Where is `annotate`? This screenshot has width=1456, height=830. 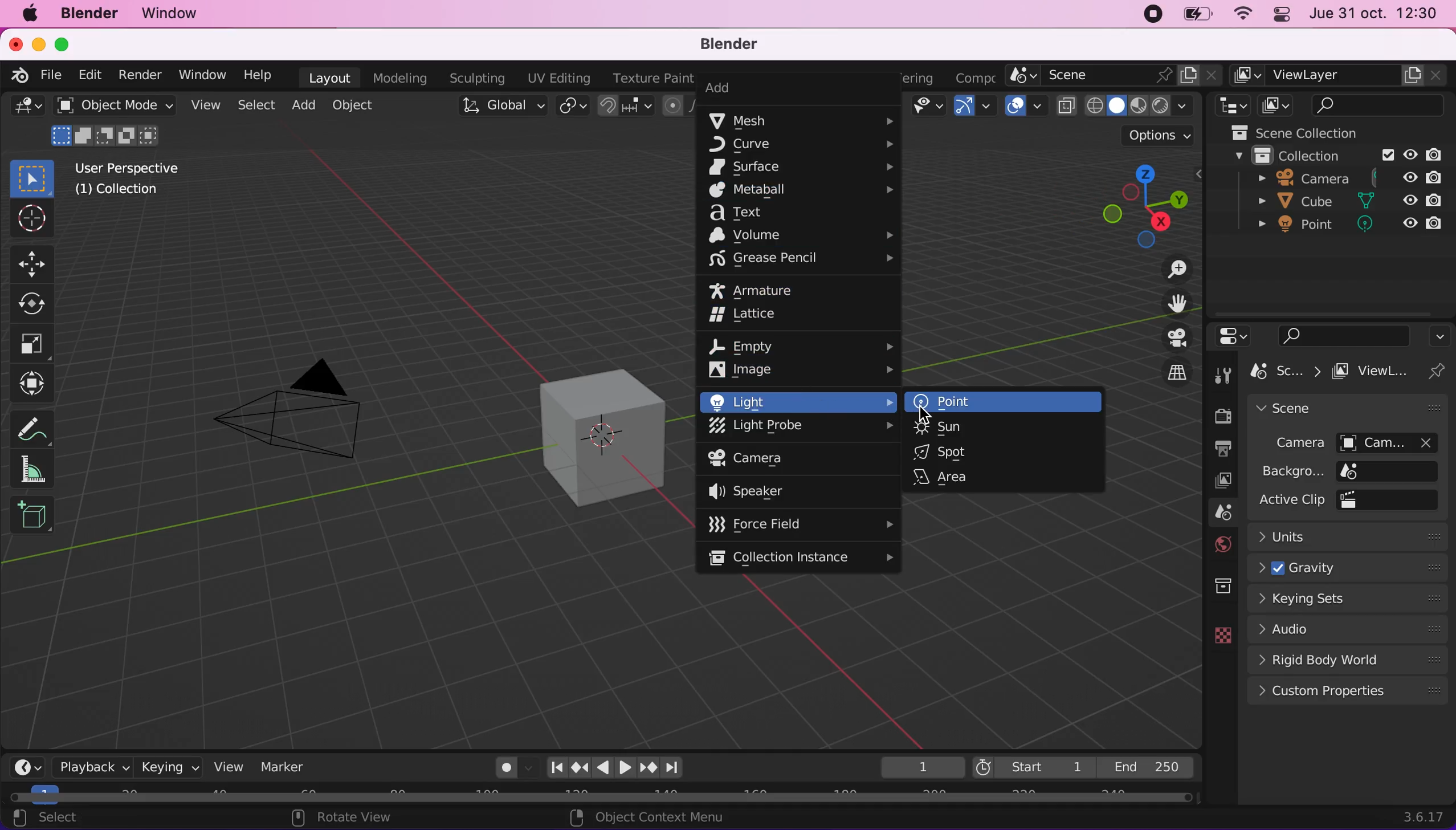
annotate is located at coordinates (32, 428).